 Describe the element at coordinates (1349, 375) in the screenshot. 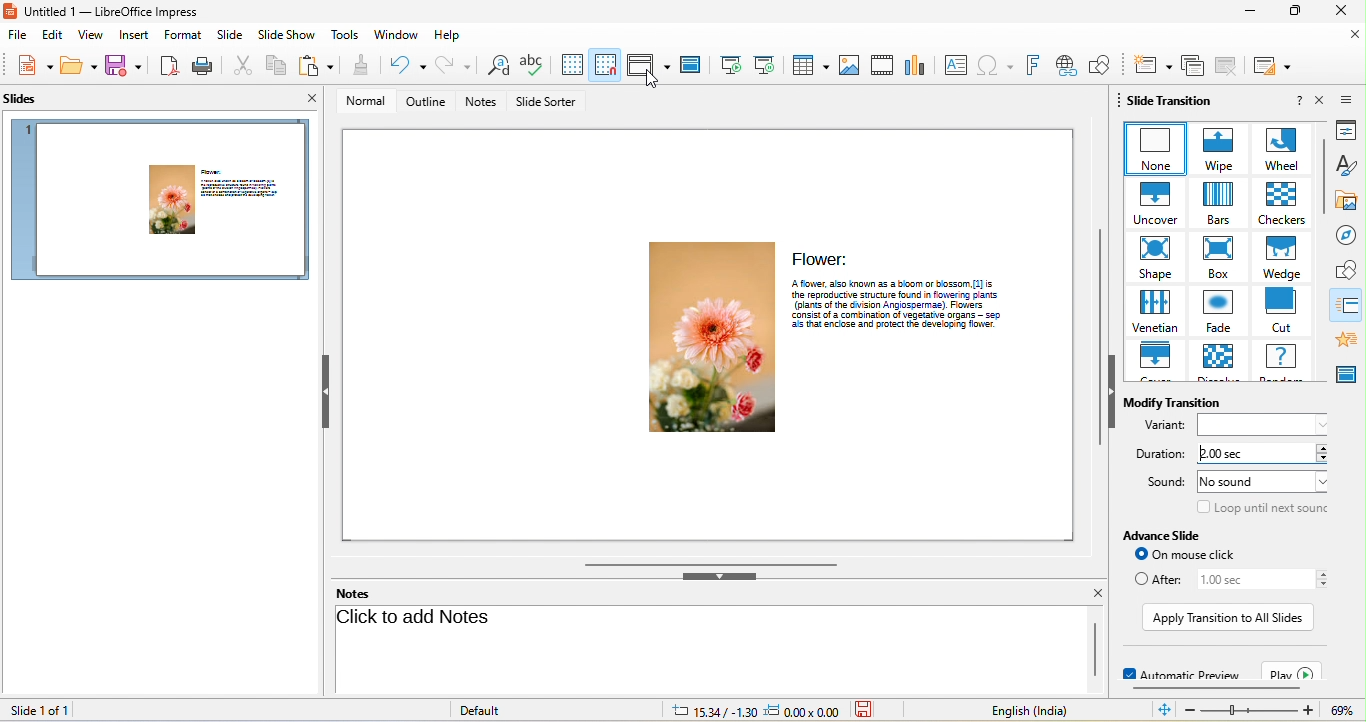

I see `master slide` at that location.